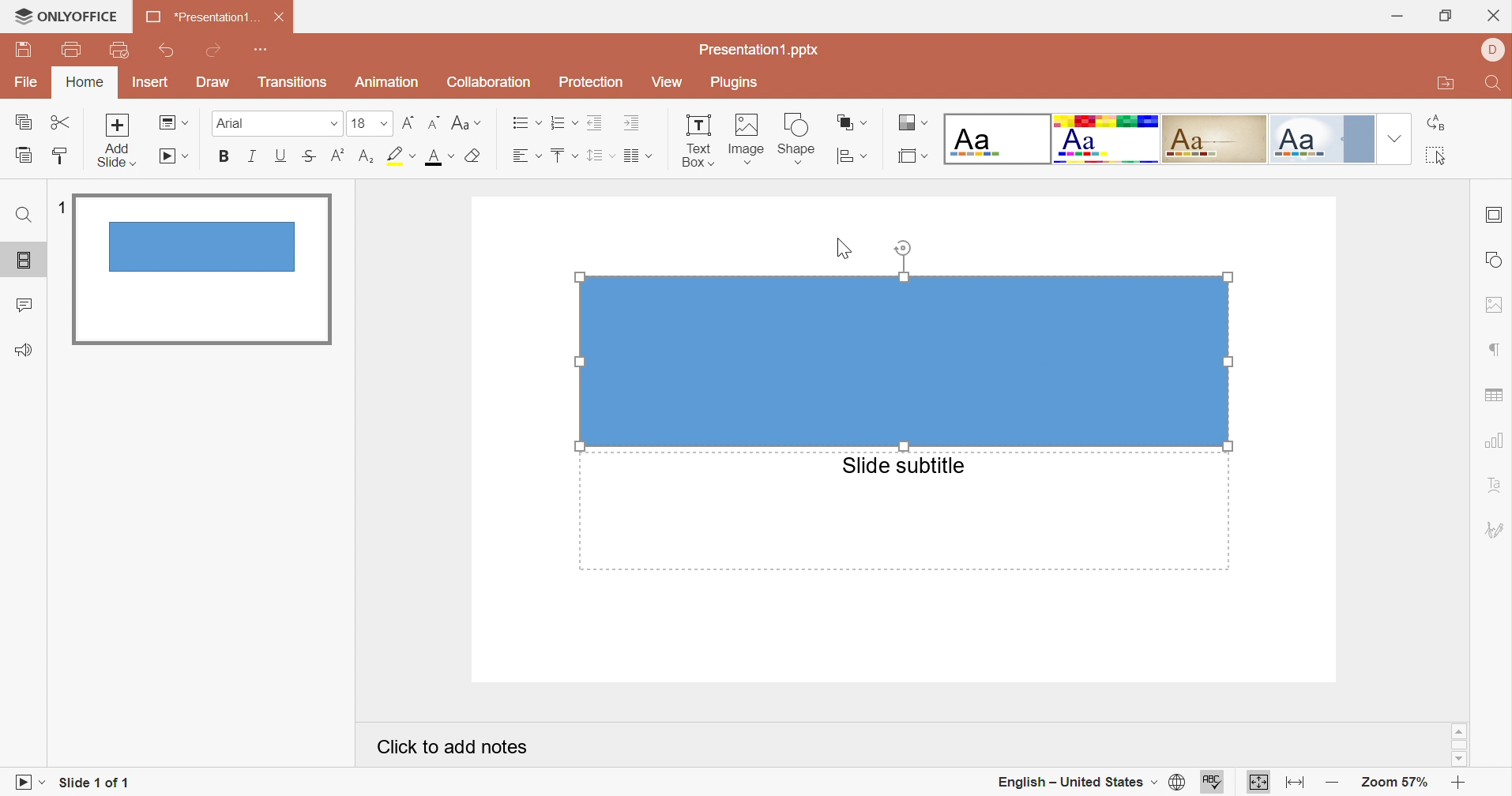  What do you see at coordinates (1213, 784) in the screenshot?
I see `Spell checking` at bounding box center [1213, 784].